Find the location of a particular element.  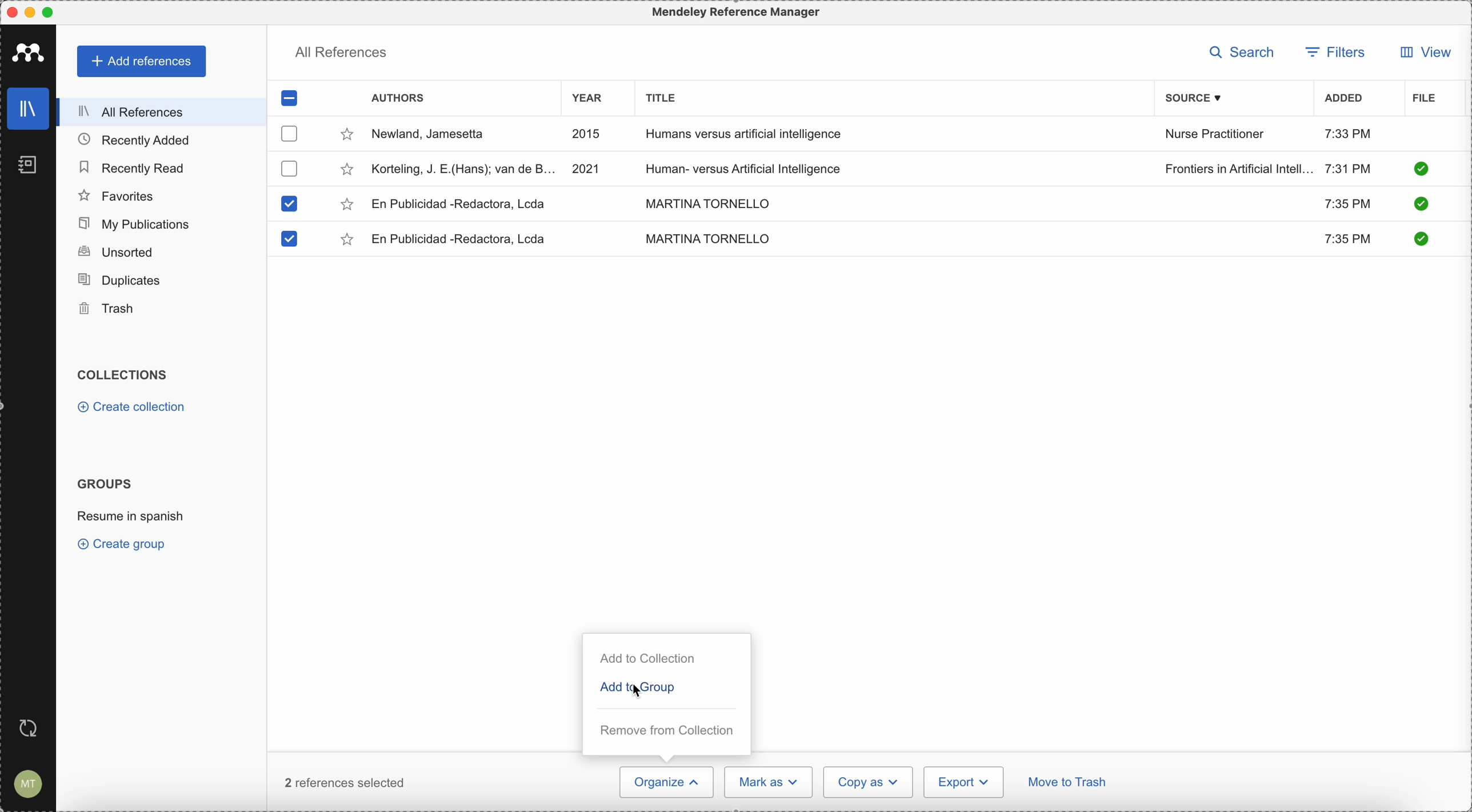

check it is located at coordinates (1421, 169).